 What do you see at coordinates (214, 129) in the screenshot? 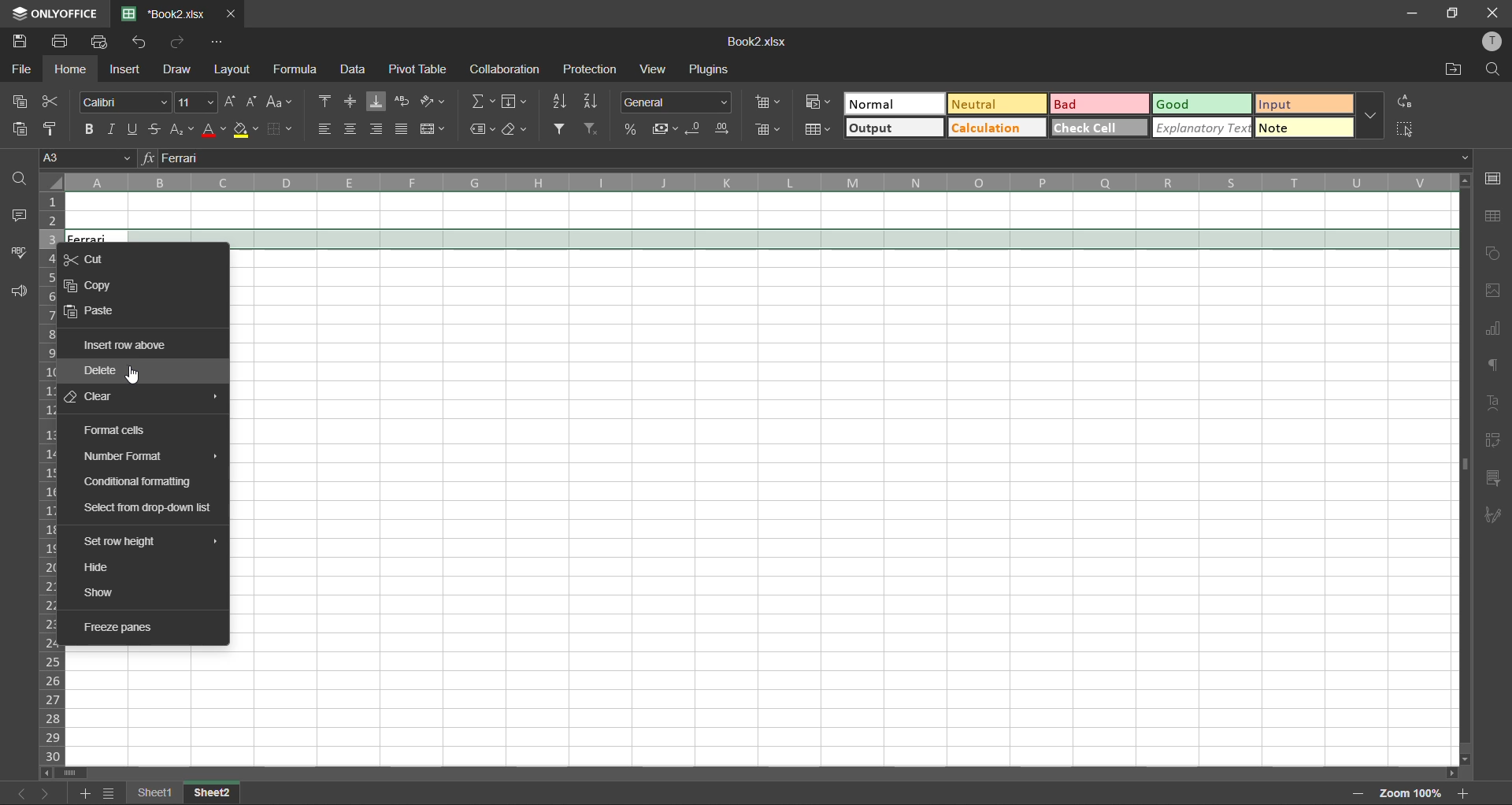
I see `font color` at bounding box center [214, 129].